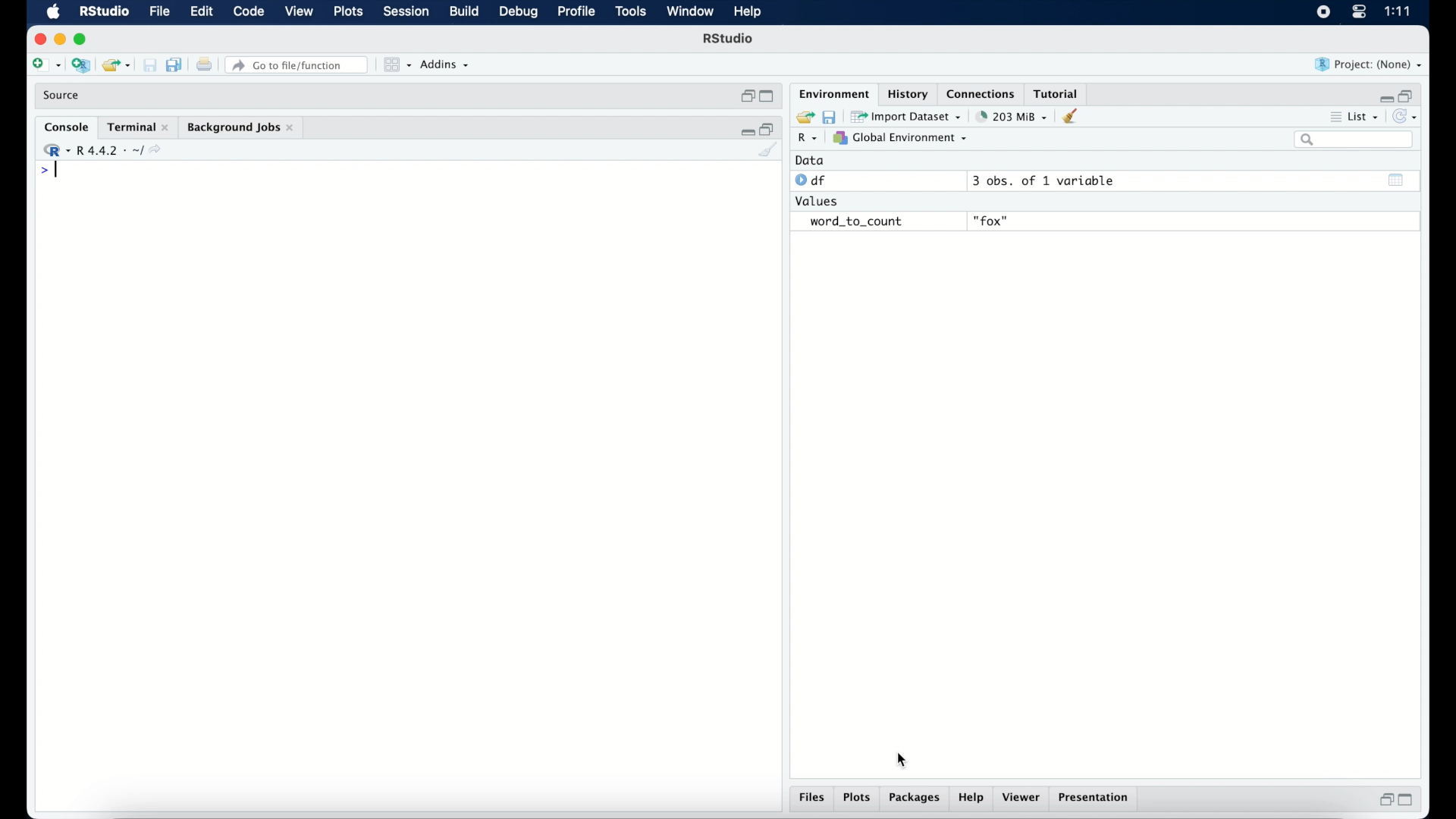 This screenshot has height=819, width=1456. I want to click on terminal, so click(138, 127).